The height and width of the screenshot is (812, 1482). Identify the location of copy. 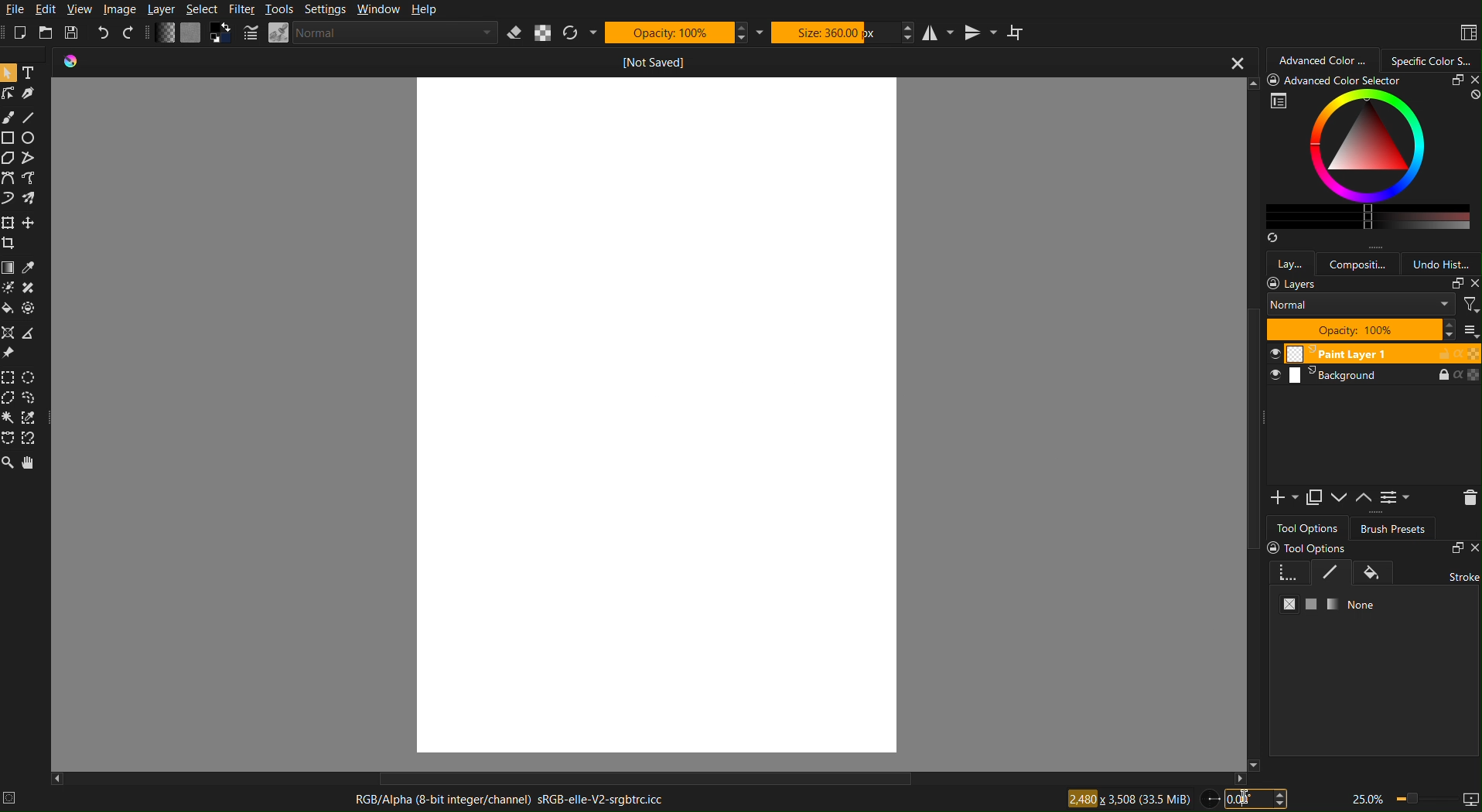
(1455, 285).